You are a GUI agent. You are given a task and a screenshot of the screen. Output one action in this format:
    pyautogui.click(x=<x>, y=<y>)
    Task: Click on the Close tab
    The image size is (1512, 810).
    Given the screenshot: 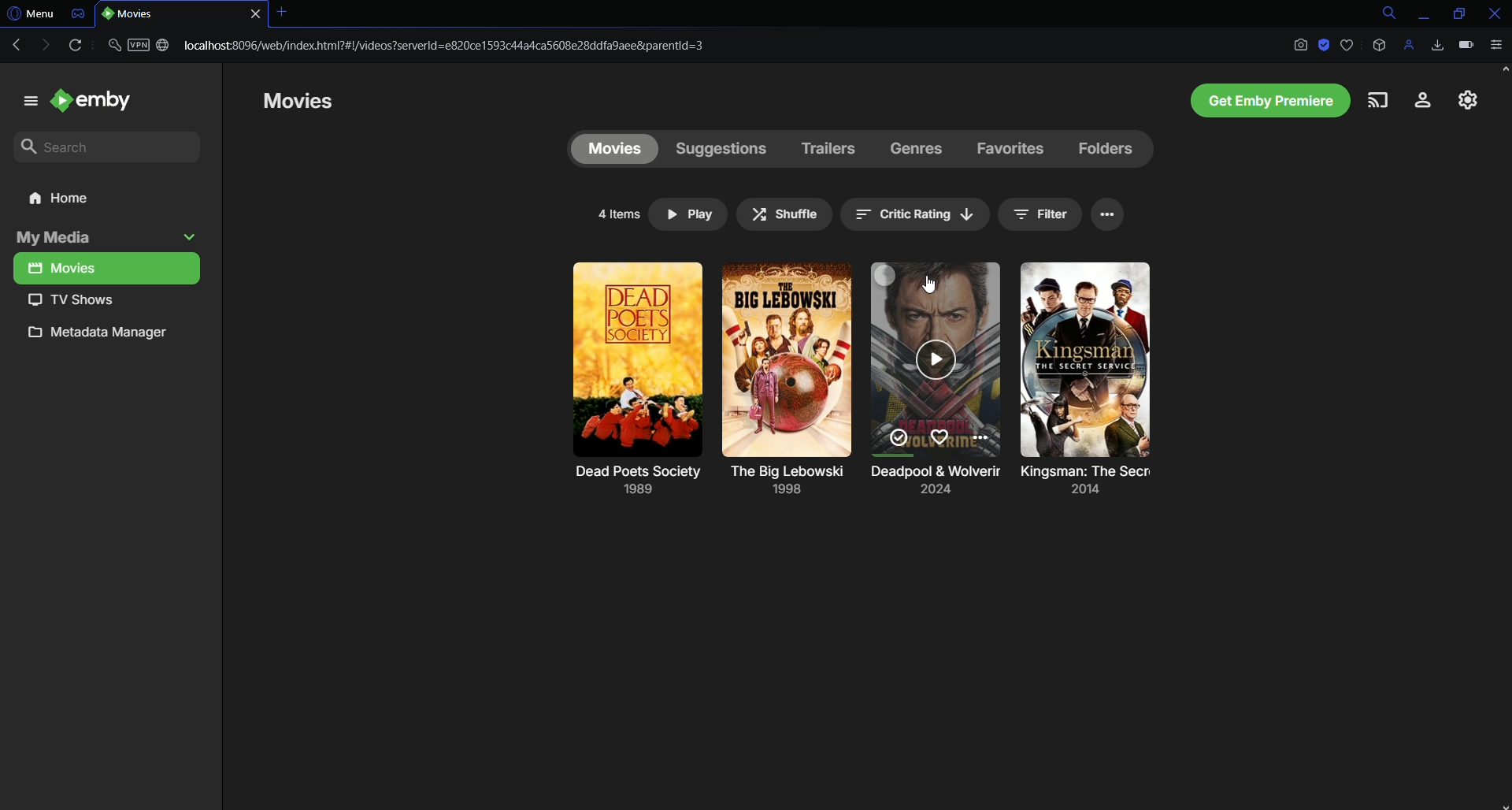 What is the action you would take?
    pyautogui.click(x=282, y=13)
    